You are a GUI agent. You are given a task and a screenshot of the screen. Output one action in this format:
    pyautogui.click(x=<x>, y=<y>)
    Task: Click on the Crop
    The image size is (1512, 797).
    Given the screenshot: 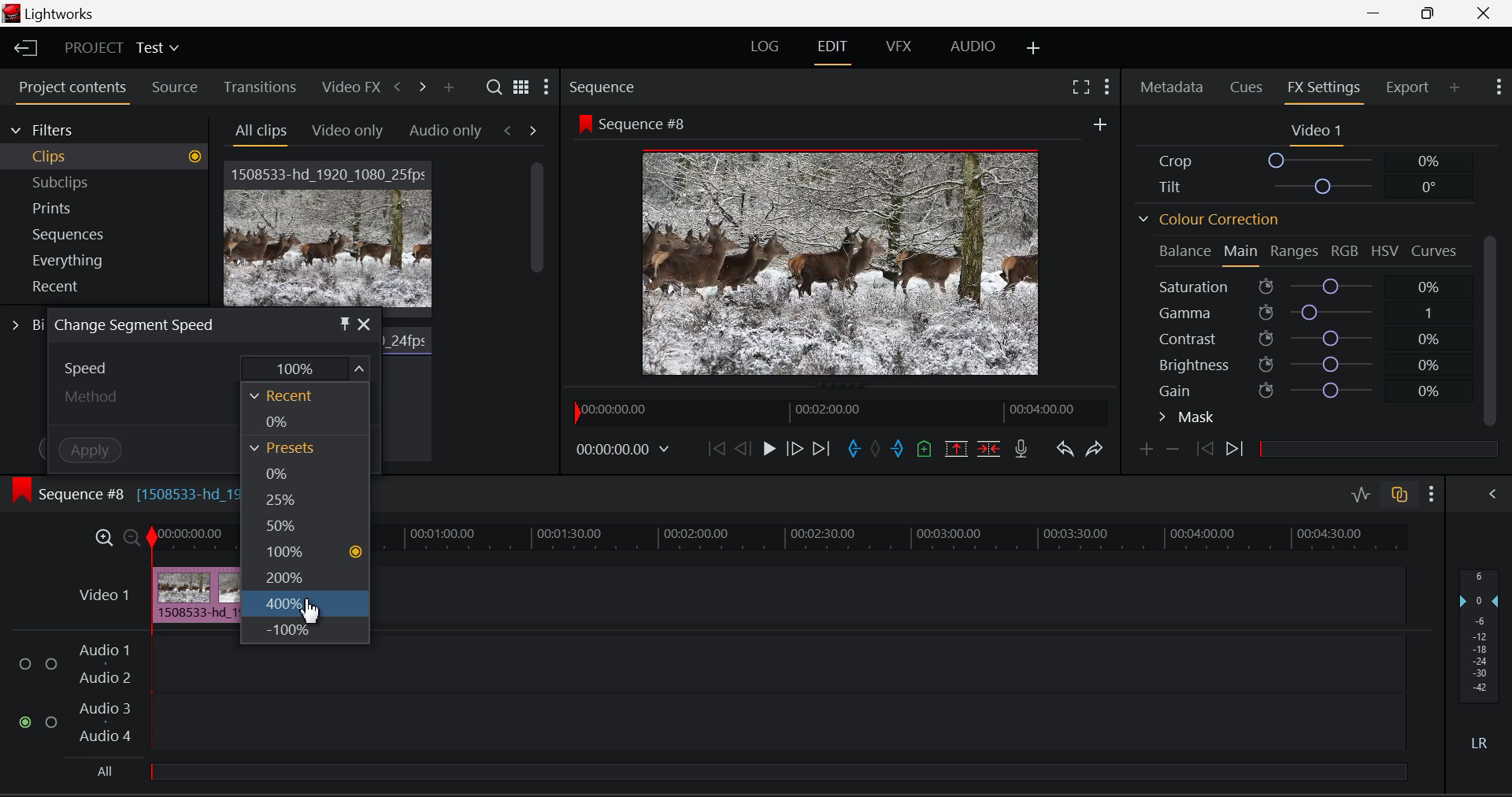 What is the action you would take?
    pyautogui.click(x=1304, y=161)
    